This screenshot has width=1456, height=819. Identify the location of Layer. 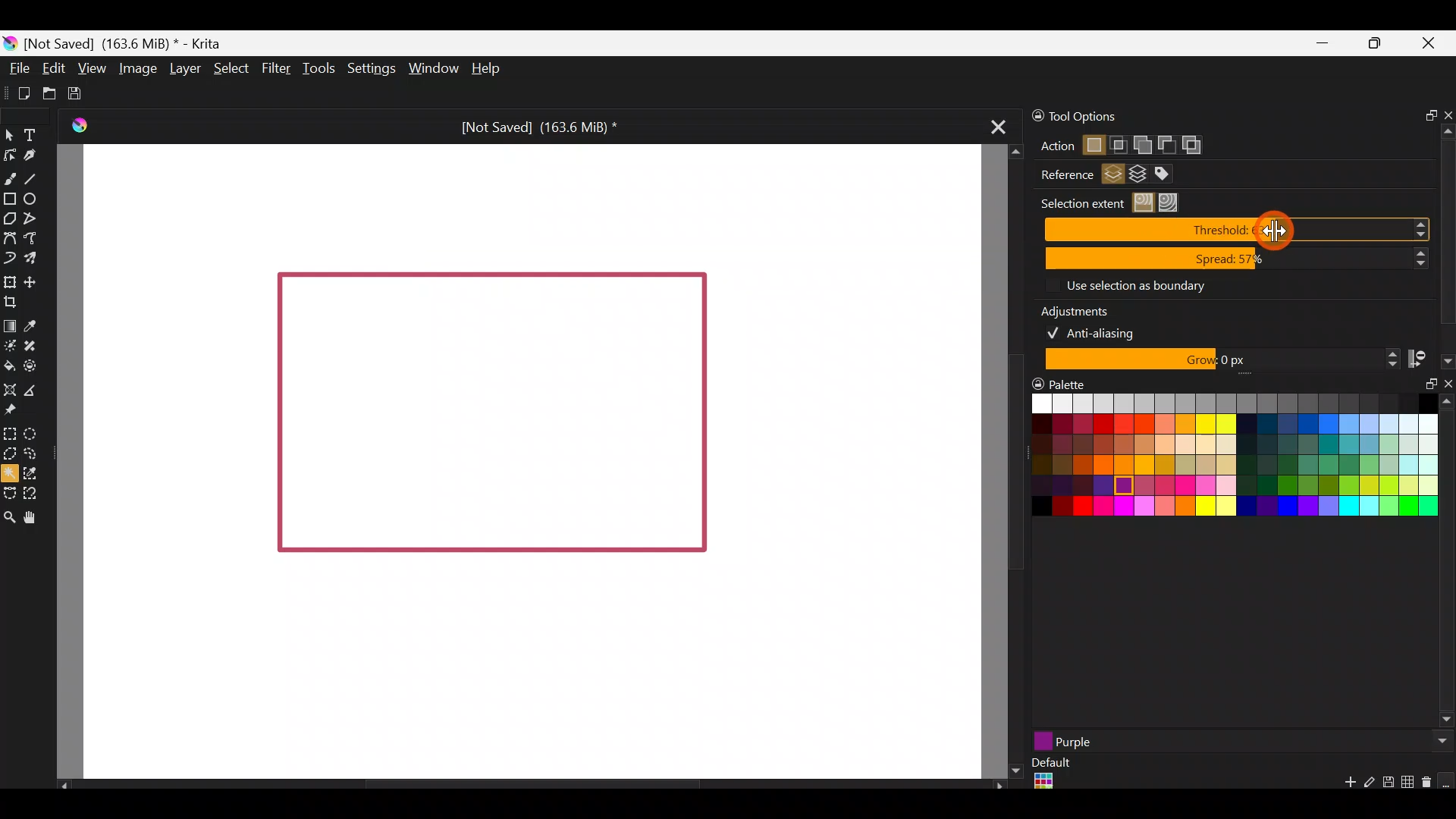
(185, 67).